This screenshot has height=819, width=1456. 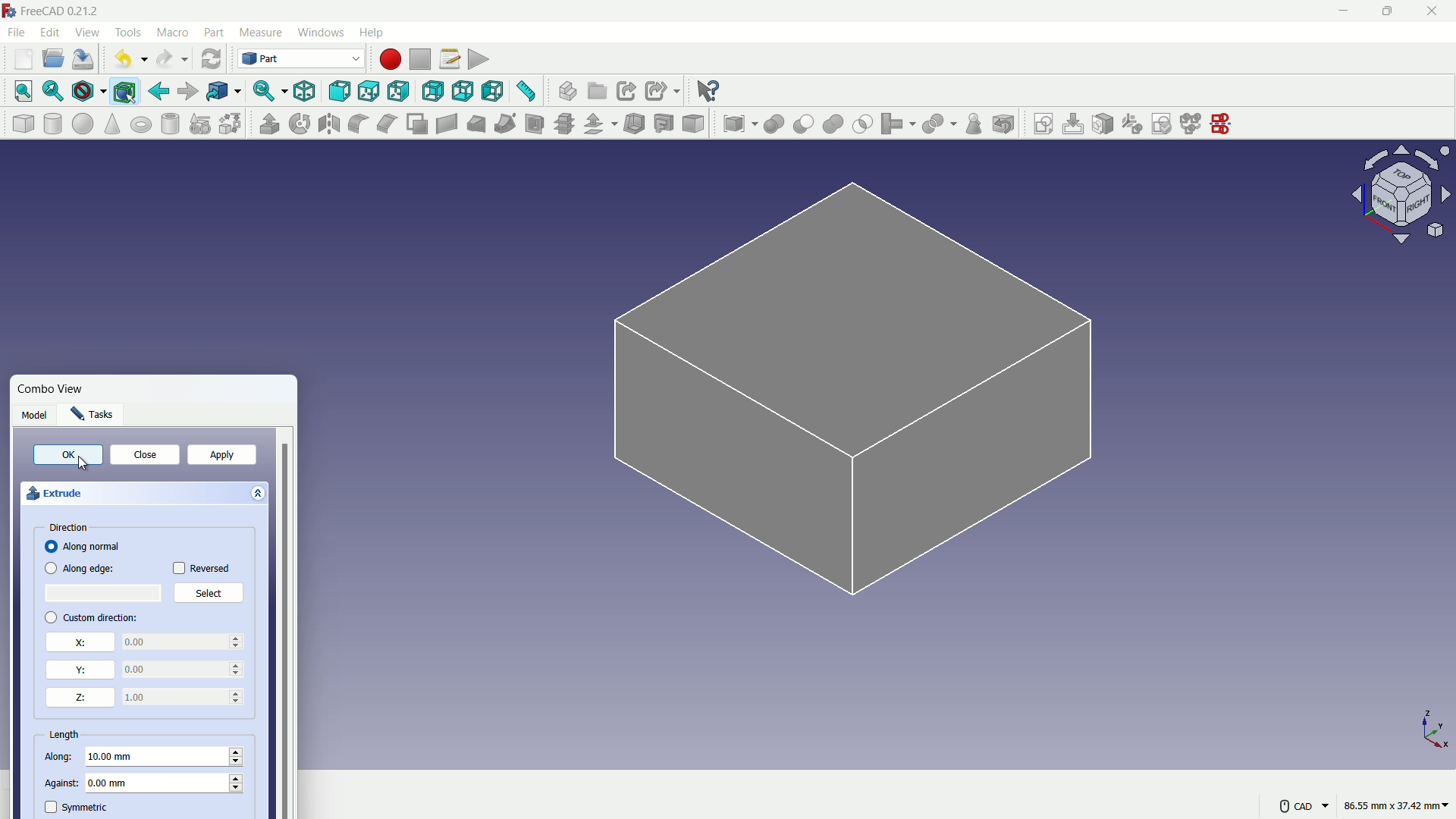 What do you see at coordinates (322, 32) in the screenshot?
I see `windows` at bounding box center [322, 32].